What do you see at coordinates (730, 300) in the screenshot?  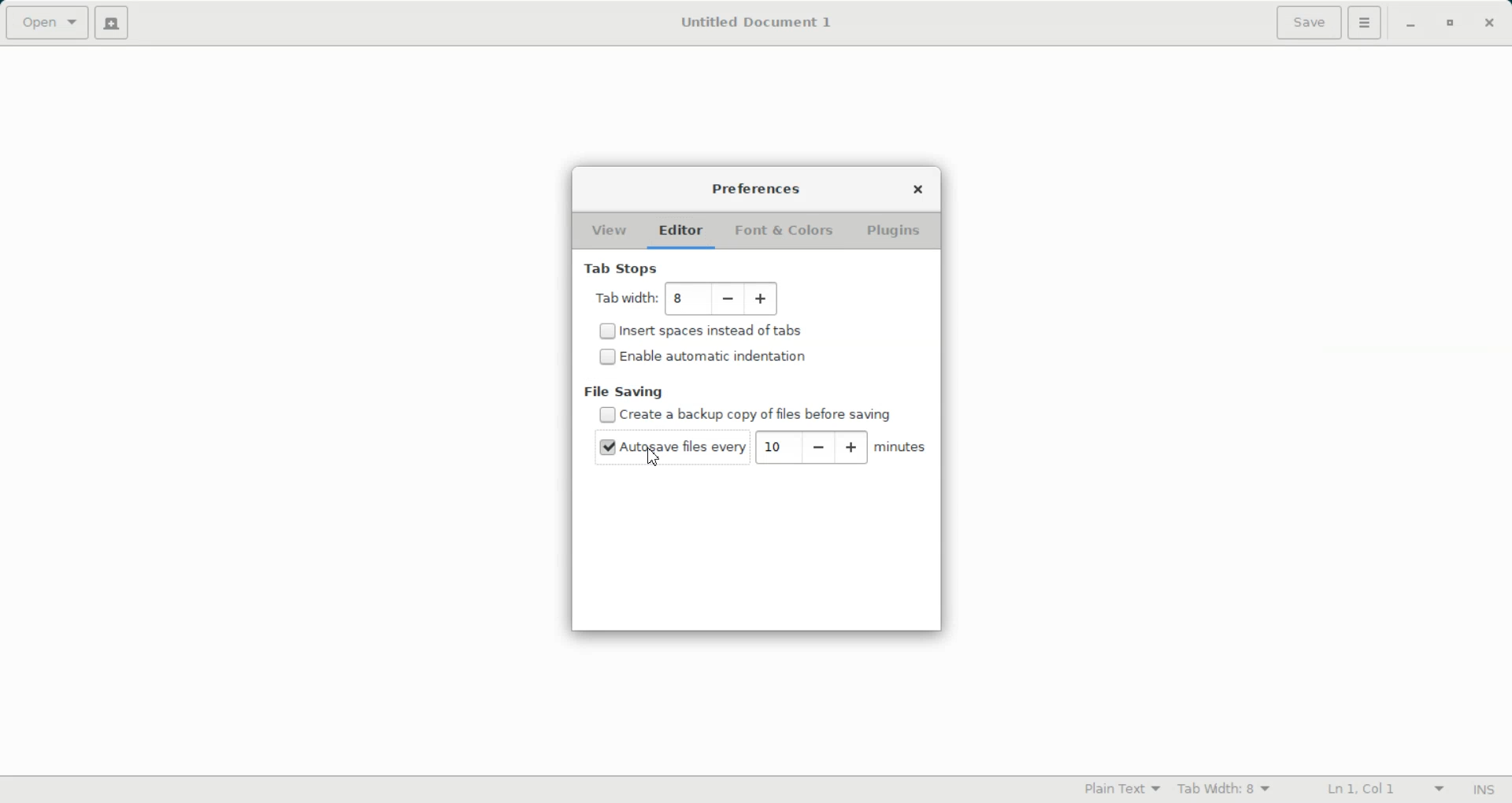 I see `Decrease` at bounding box center [730, 300].